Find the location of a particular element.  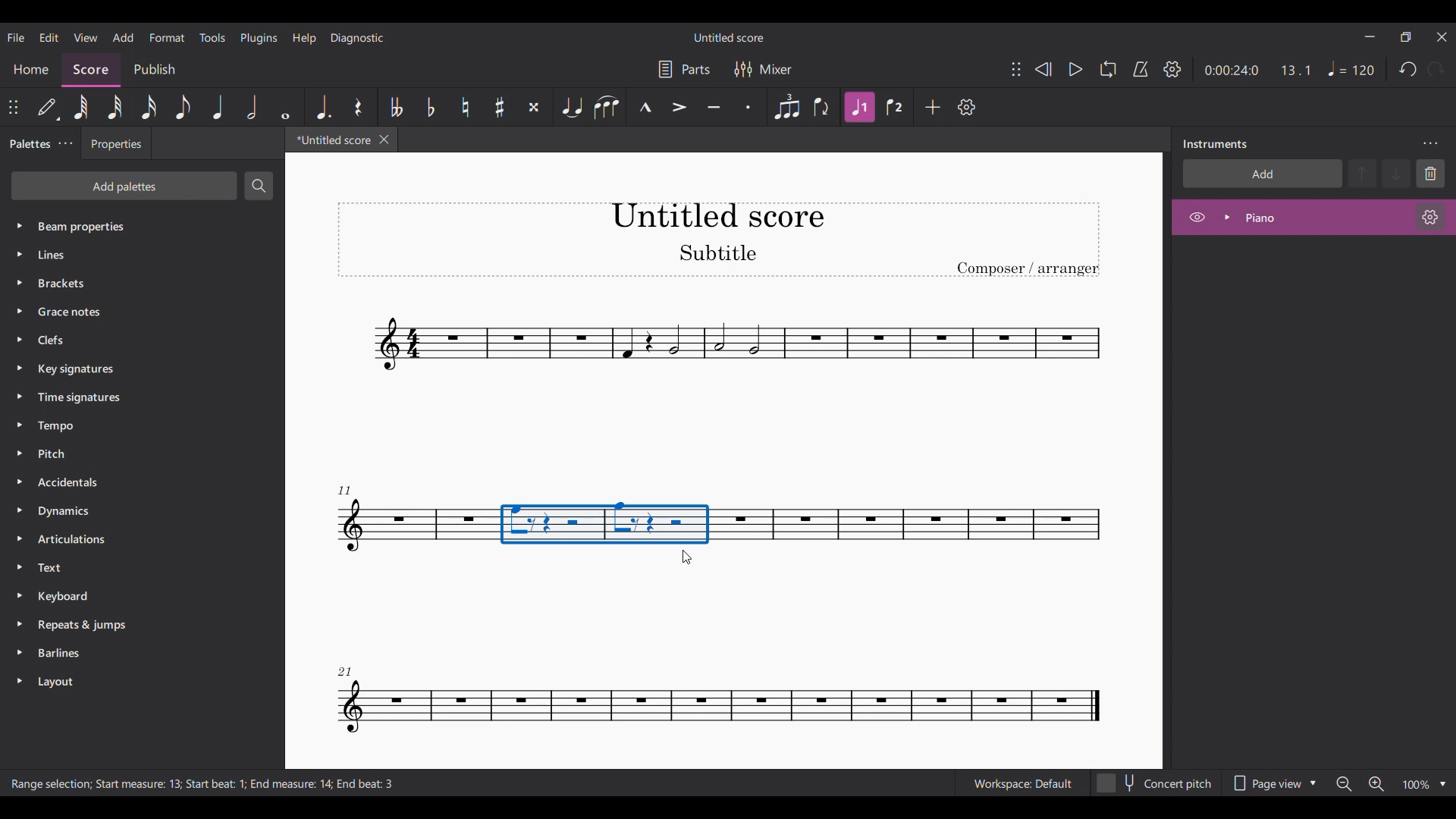

Instrument settings is located at coordinates (1431, 217).